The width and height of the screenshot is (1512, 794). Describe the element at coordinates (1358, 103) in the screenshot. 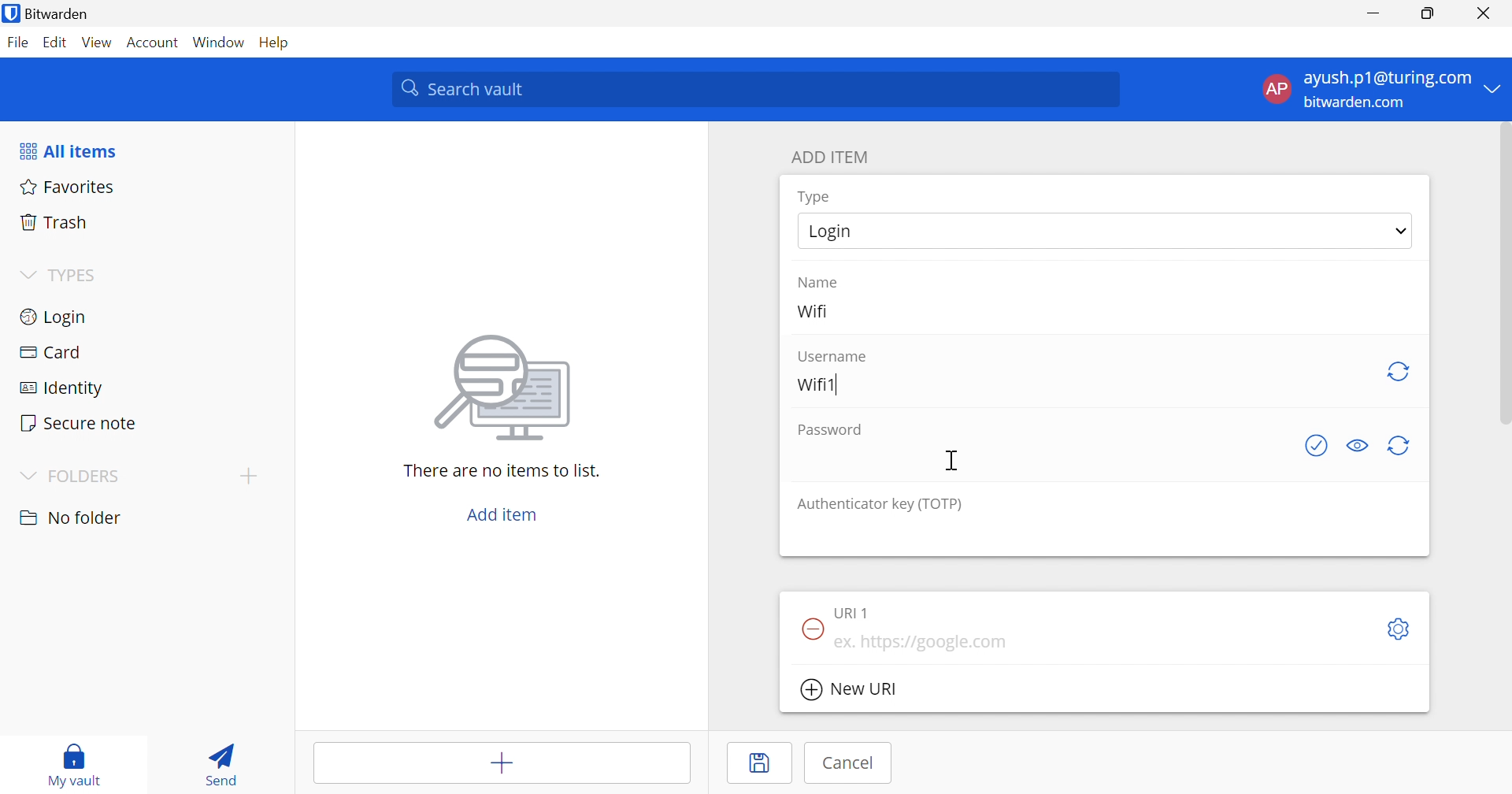

I see `bitwarden.com` at that location.